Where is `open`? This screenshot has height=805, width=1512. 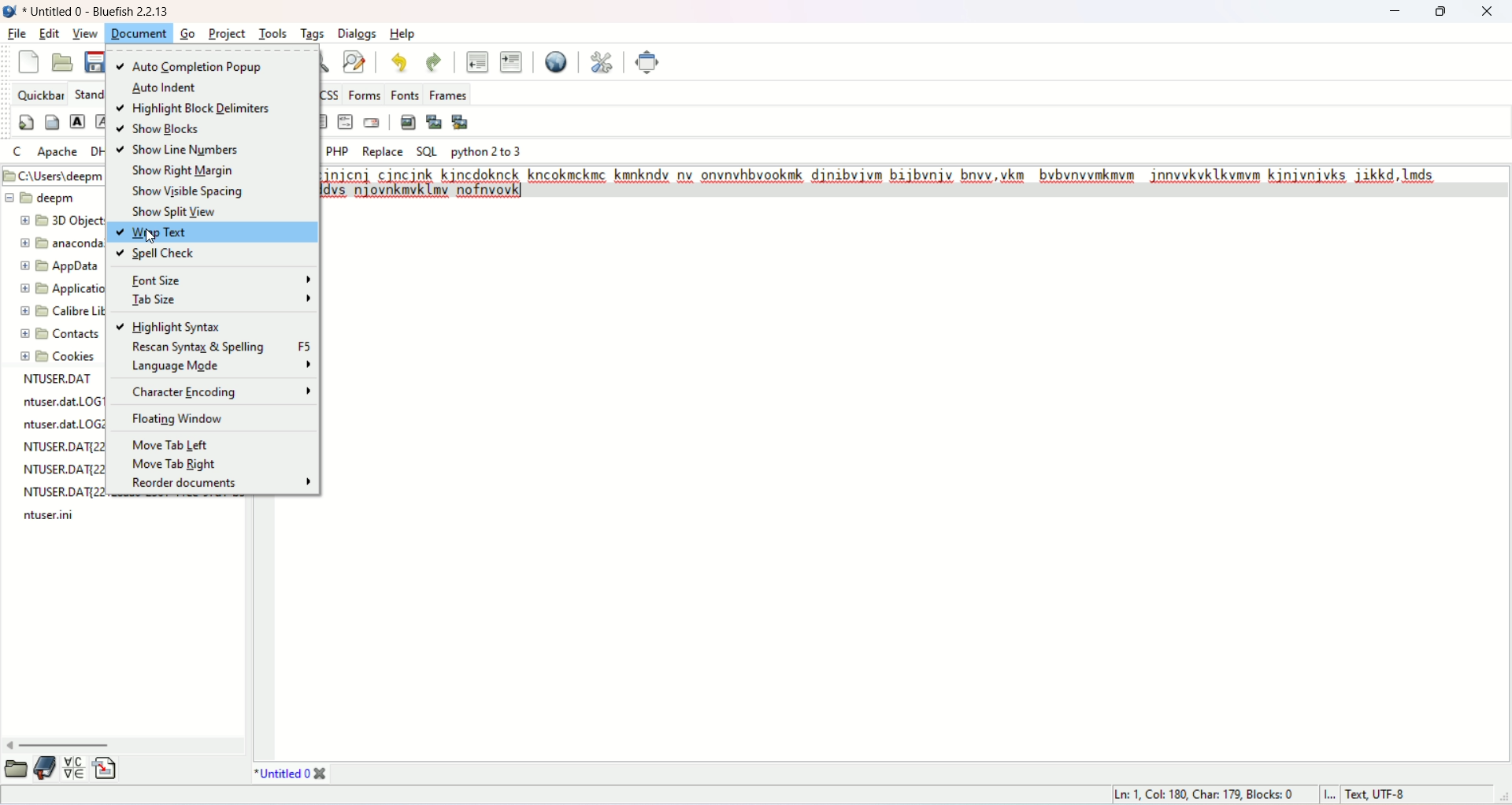
open is located at coordinates (17, 770).